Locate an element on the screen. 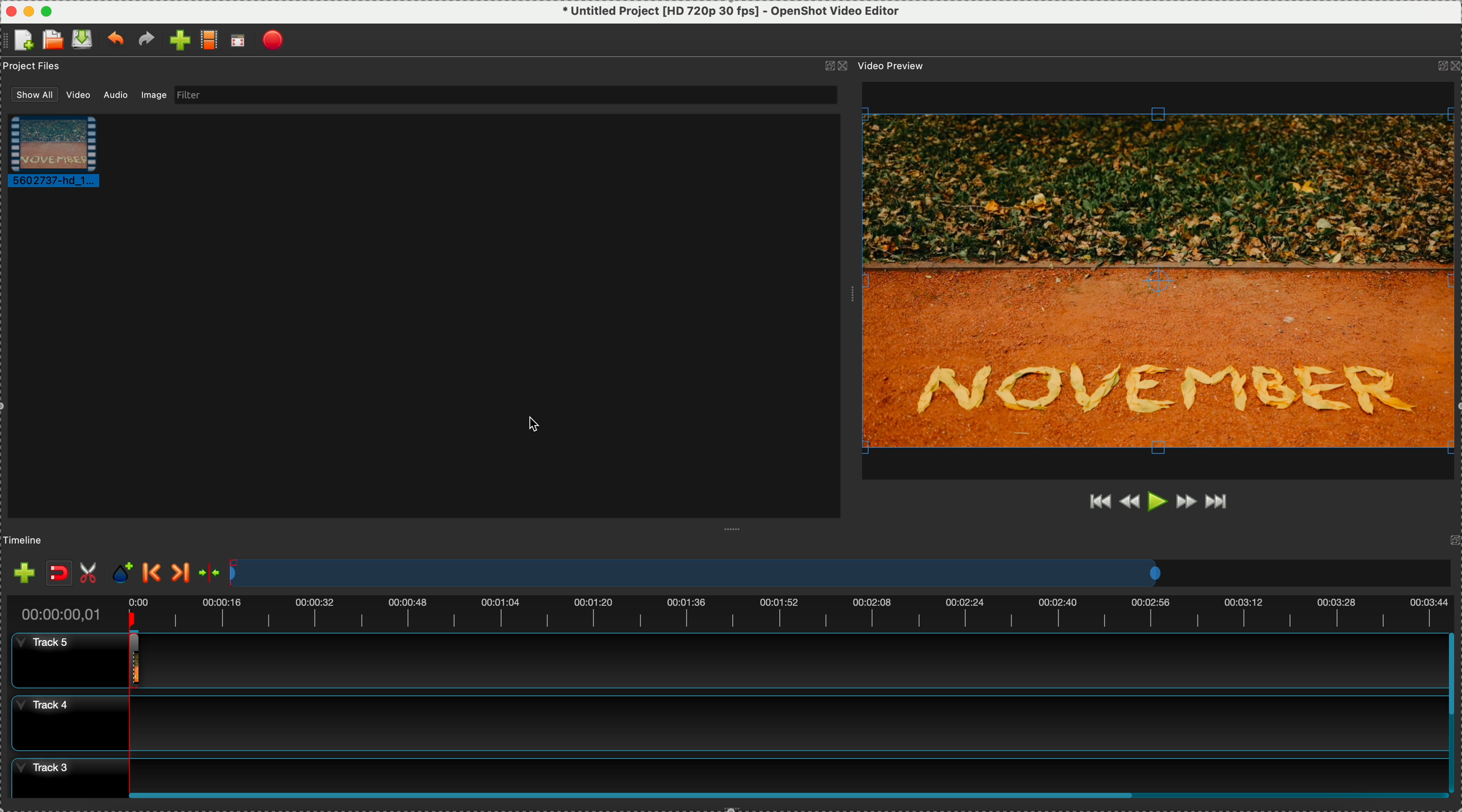 The width and height of the screenshot is (1462, 812). center the timeline on the playhead is located at coordinates (211, 573).